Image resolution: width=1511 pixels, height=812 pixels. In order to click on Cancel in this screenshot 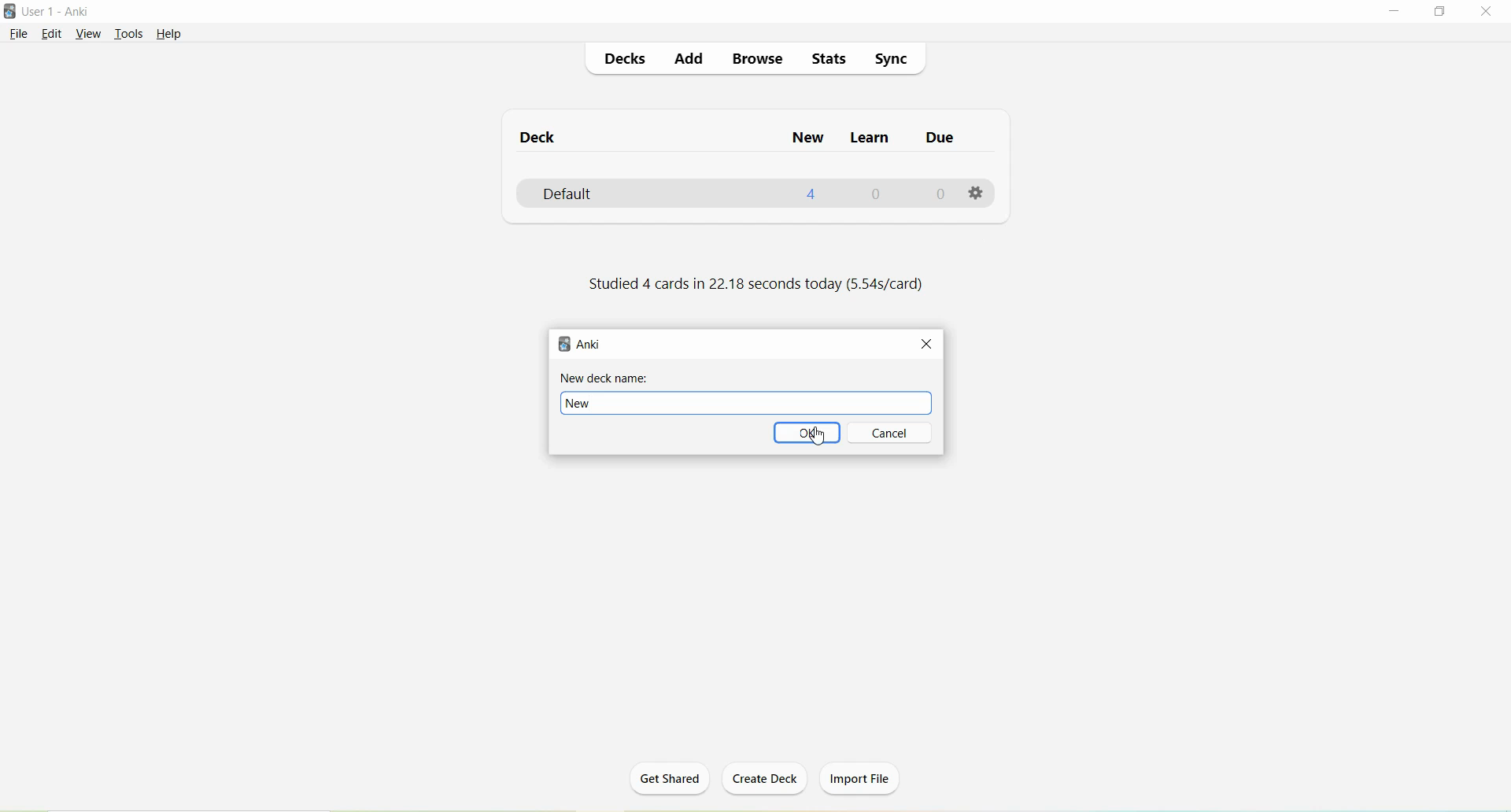, I will do `click(892, 433)`.